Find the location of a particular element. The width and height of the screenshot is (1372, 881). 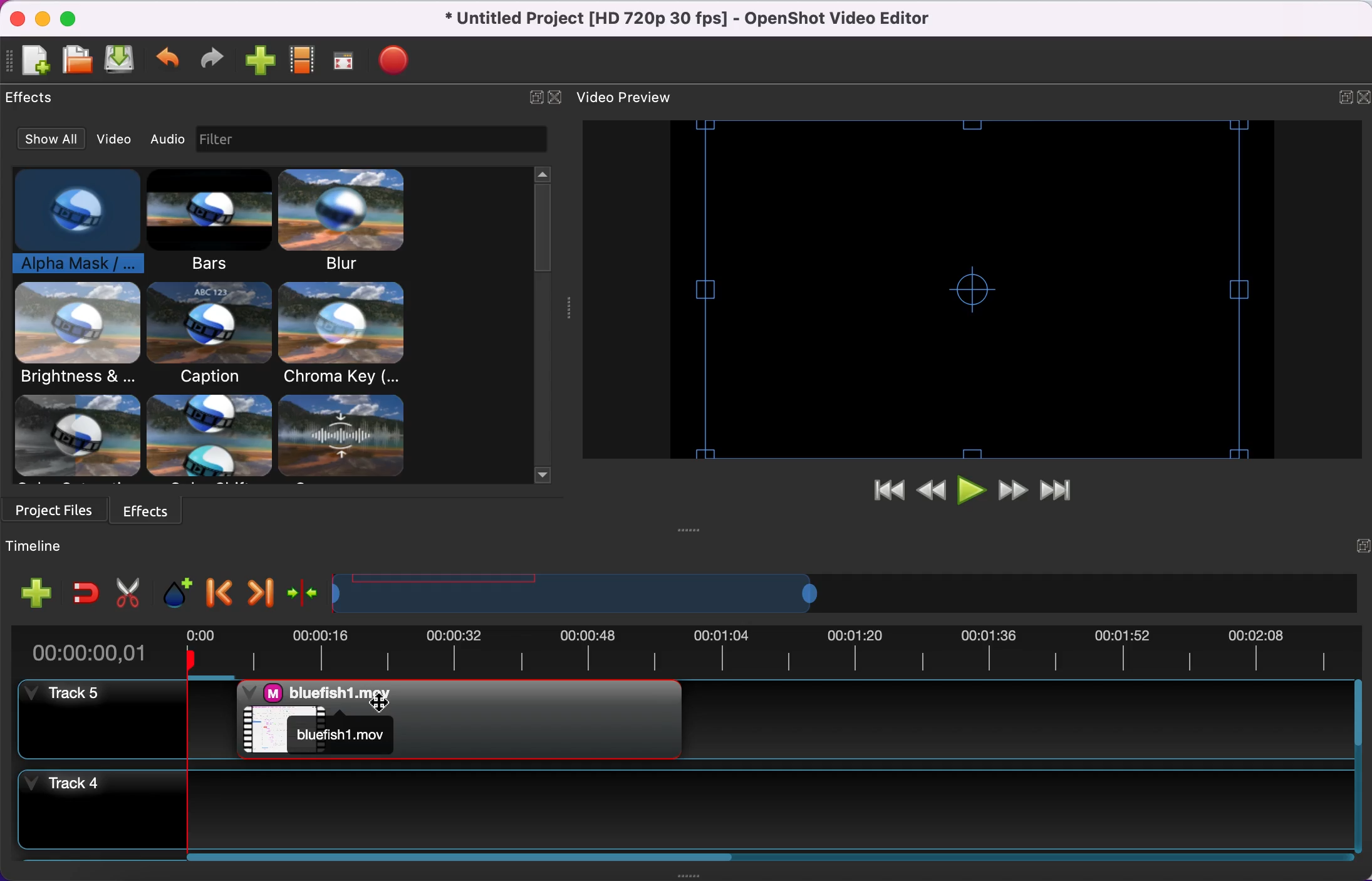

import video is located at coordinates (259, 63).